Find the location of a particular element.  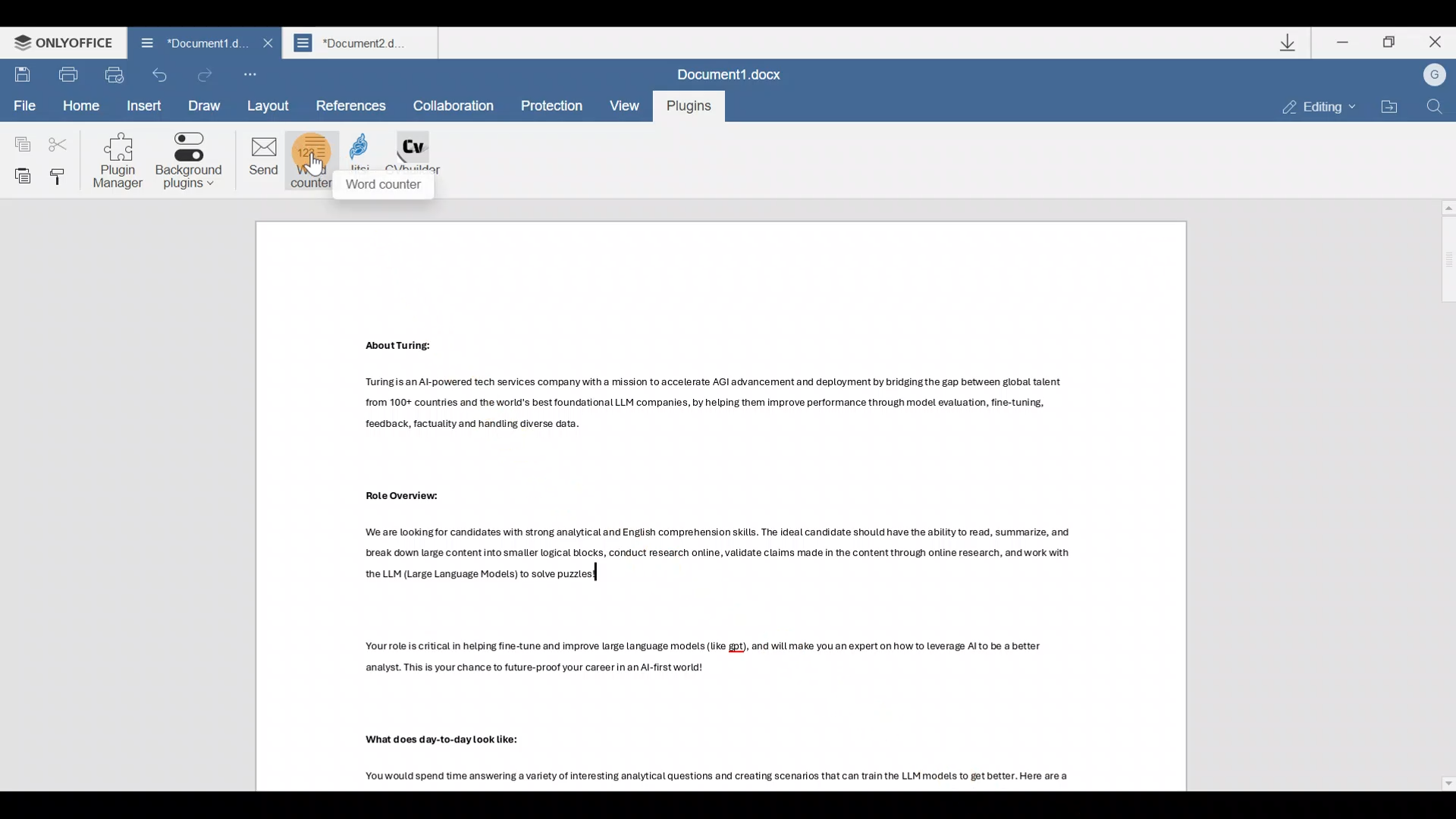

Quick print is located at coordinates (114, 74).